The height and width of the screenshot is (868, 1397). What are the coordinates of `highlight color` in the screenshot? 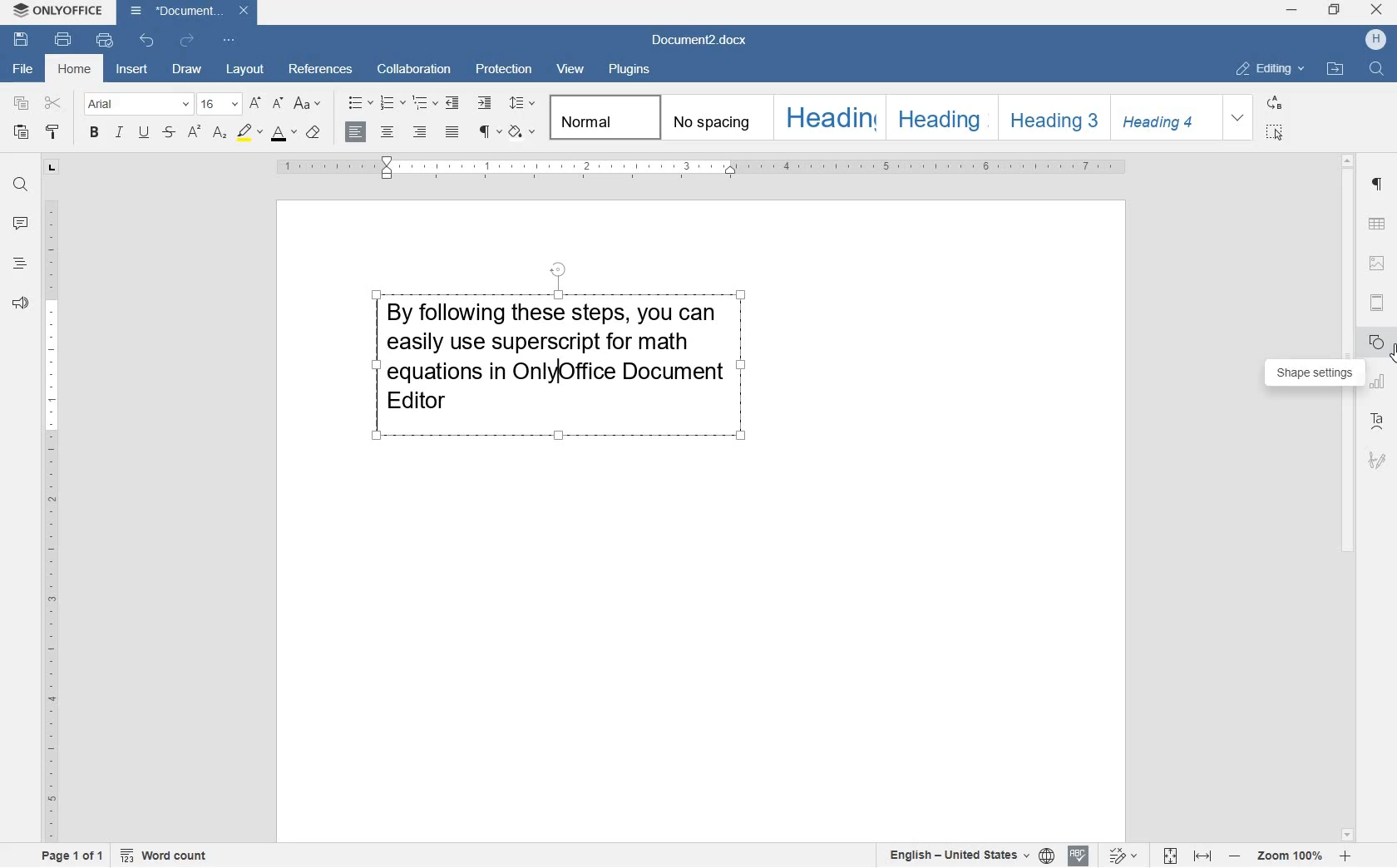 It's located at (249, 133).